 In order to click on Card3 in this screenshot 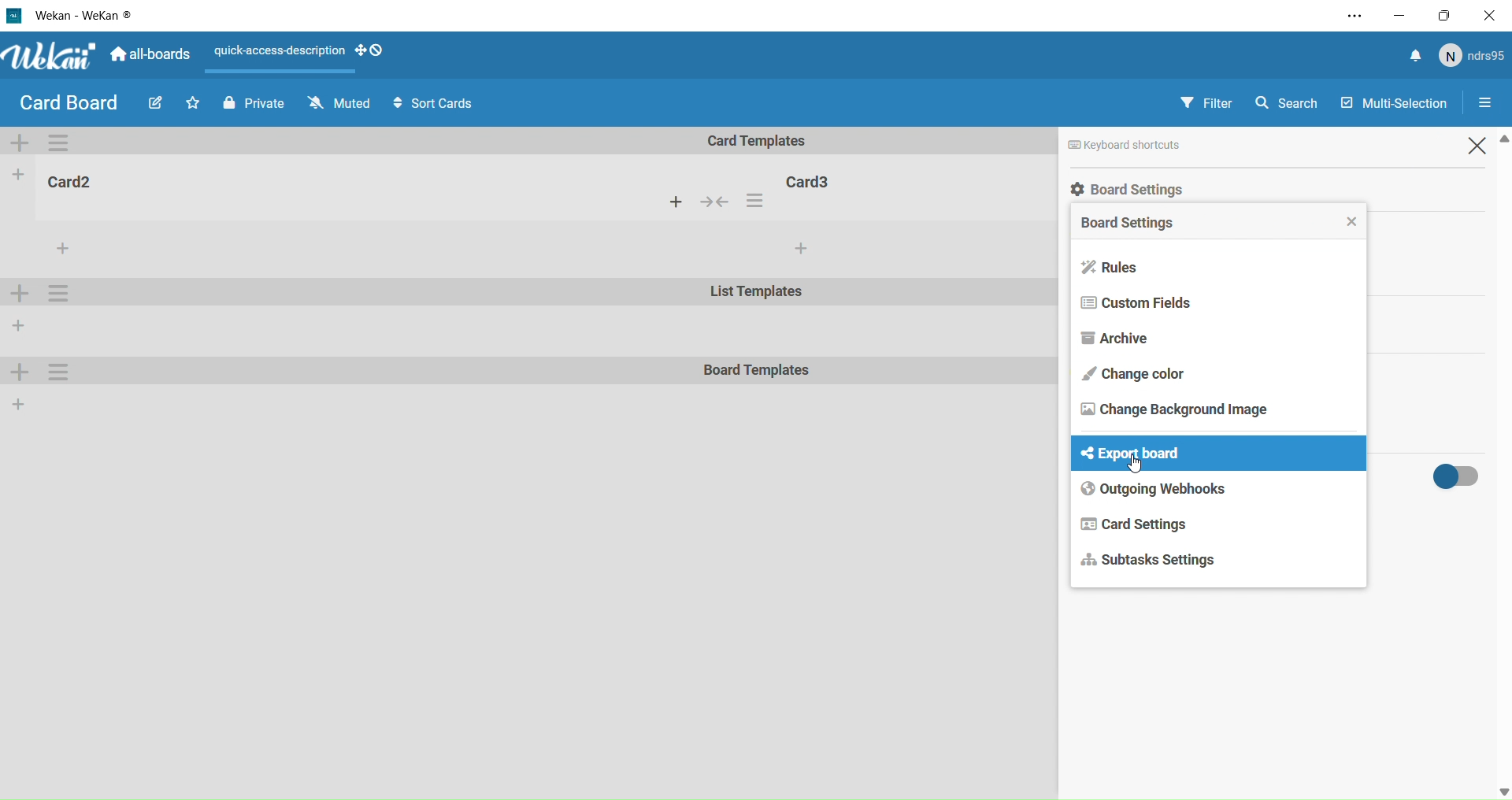, I will do `click(812, 180)`.